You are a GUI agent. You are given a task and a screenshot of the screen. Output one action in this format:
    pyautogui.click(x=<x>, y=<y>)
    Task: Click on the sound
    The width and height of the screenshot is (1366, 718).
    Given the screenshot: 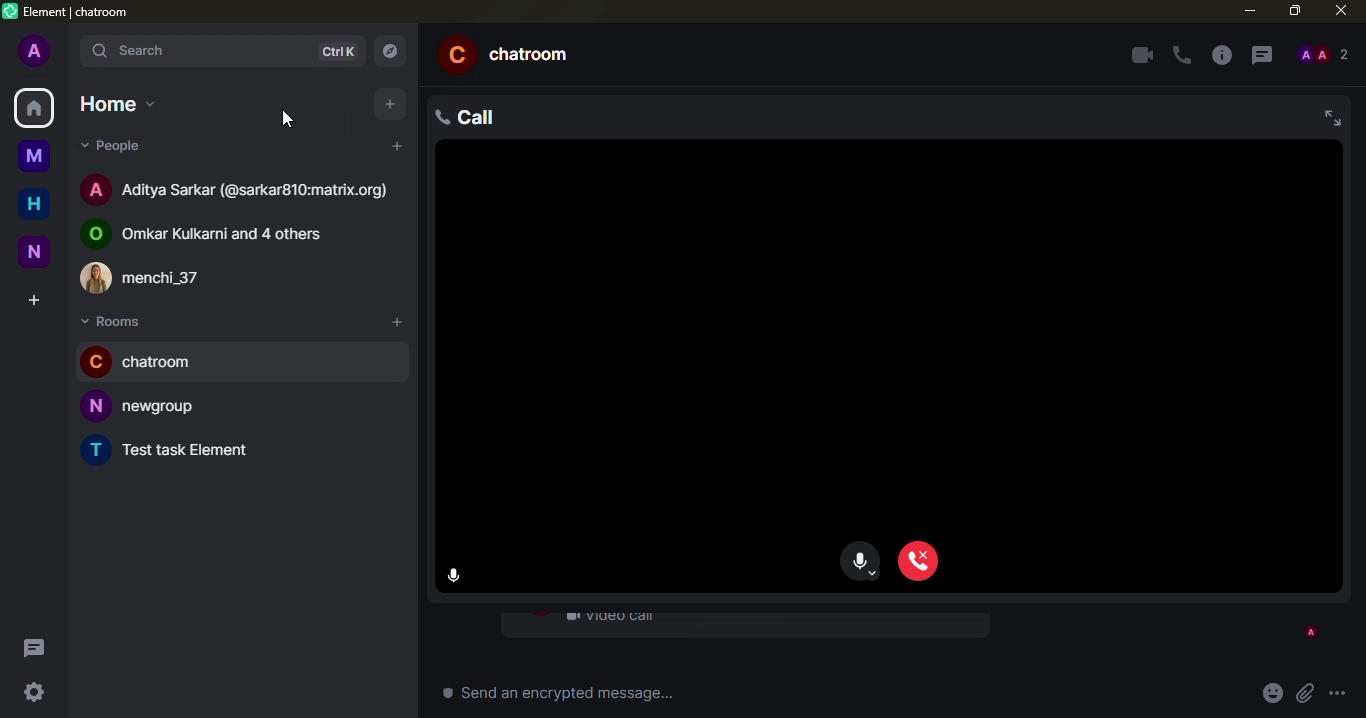 What is the action you would take?
    pyautogui.click(x=332, y=55)
    